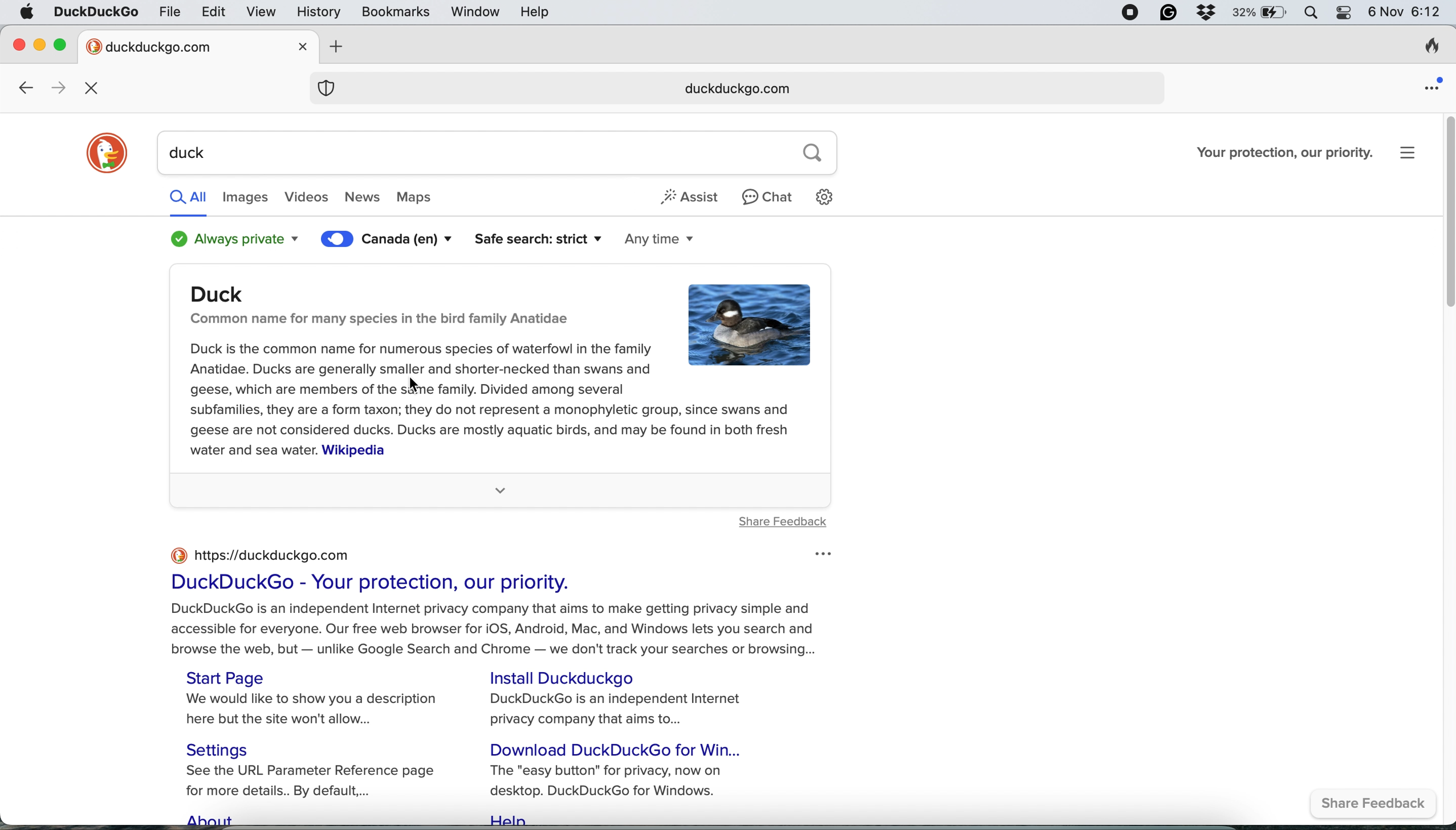 This screenshot has width=1456, height=830. Describe the element at coordinates (1434, 83) in the screenshot. I see `open application menu` at that location.